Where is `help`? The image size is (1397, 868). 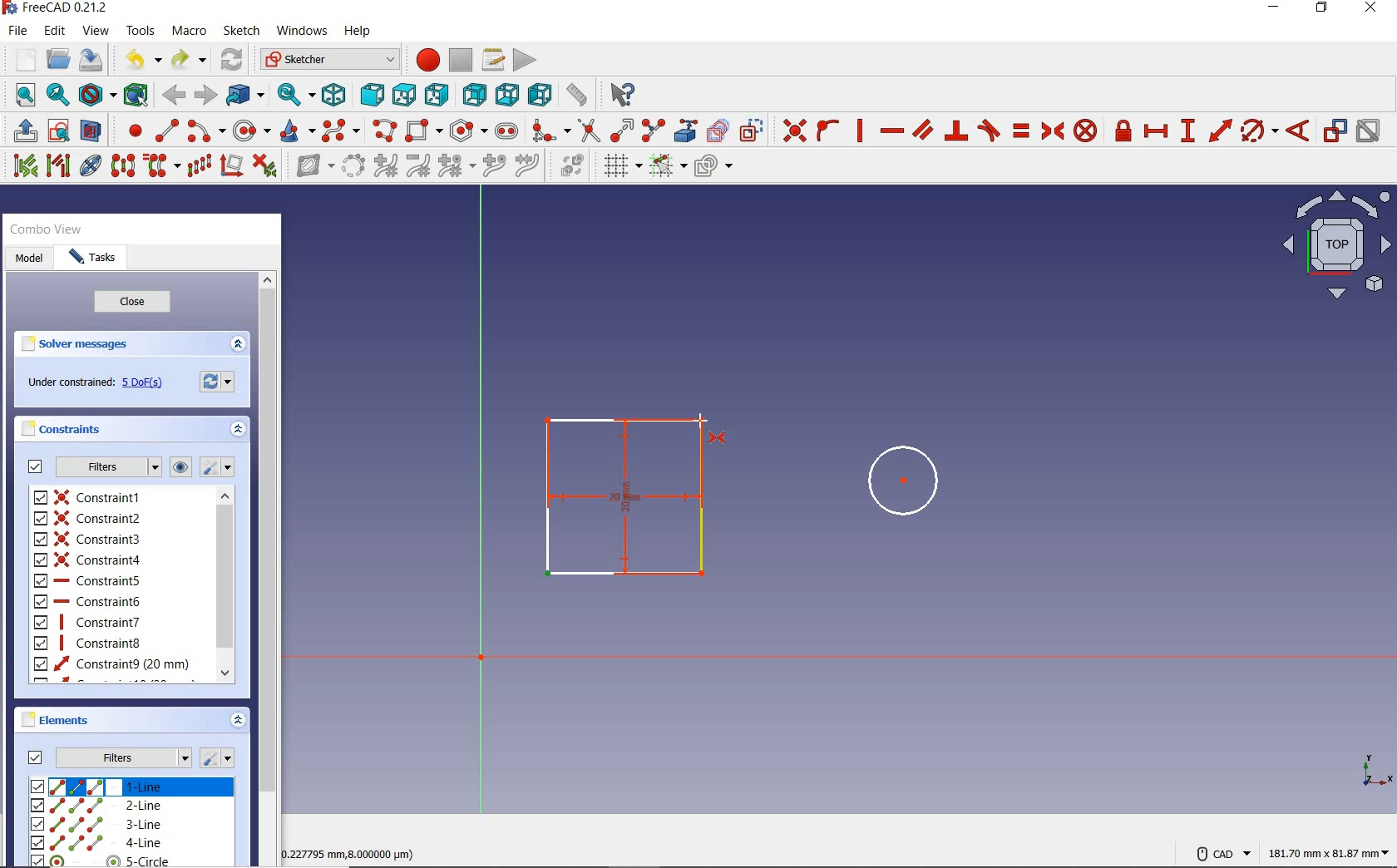
help is located at coordinates (358, 32).